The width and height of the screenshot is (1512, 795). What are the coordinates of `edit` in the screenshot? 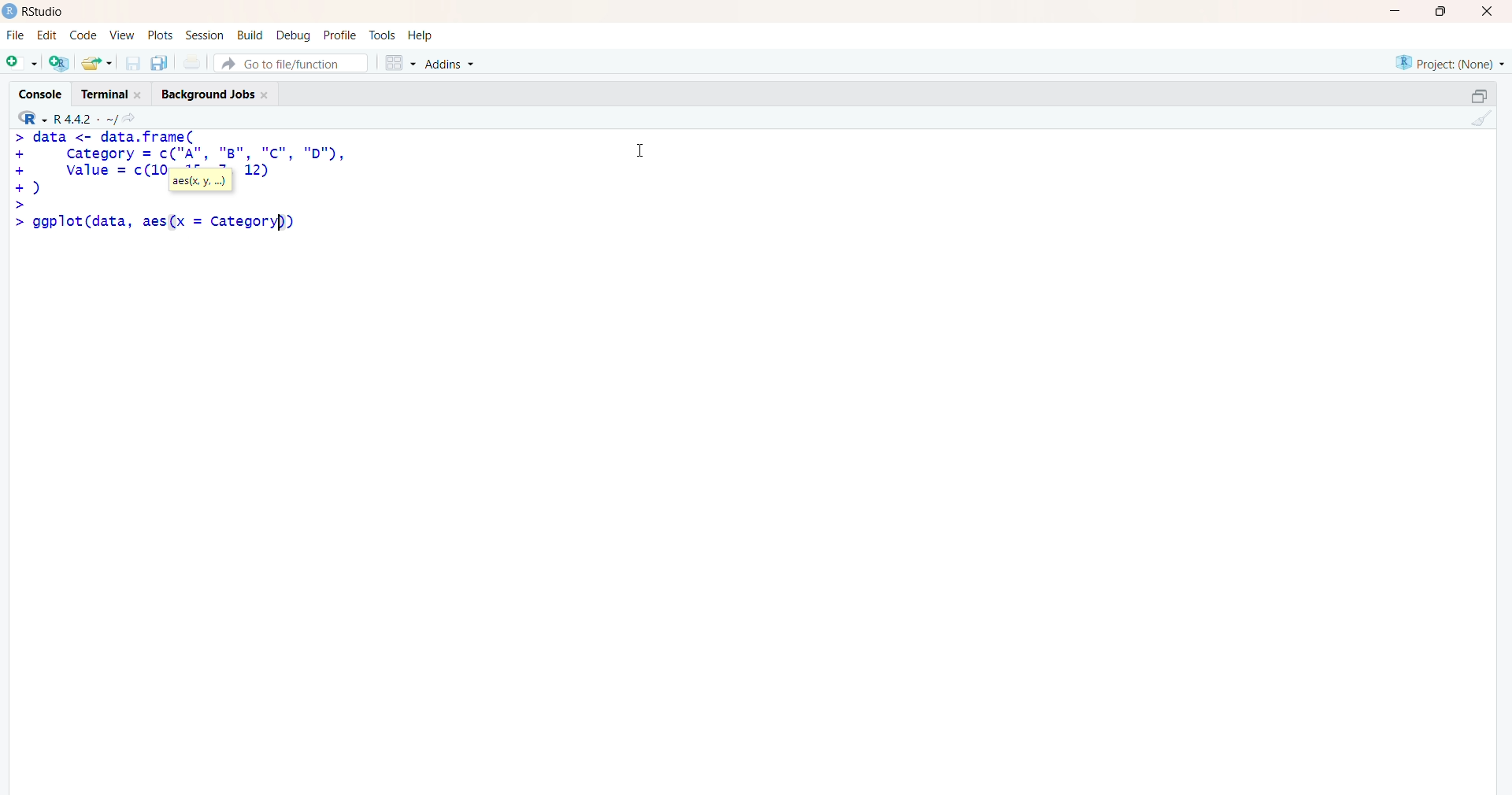 It's located at (47, 35).